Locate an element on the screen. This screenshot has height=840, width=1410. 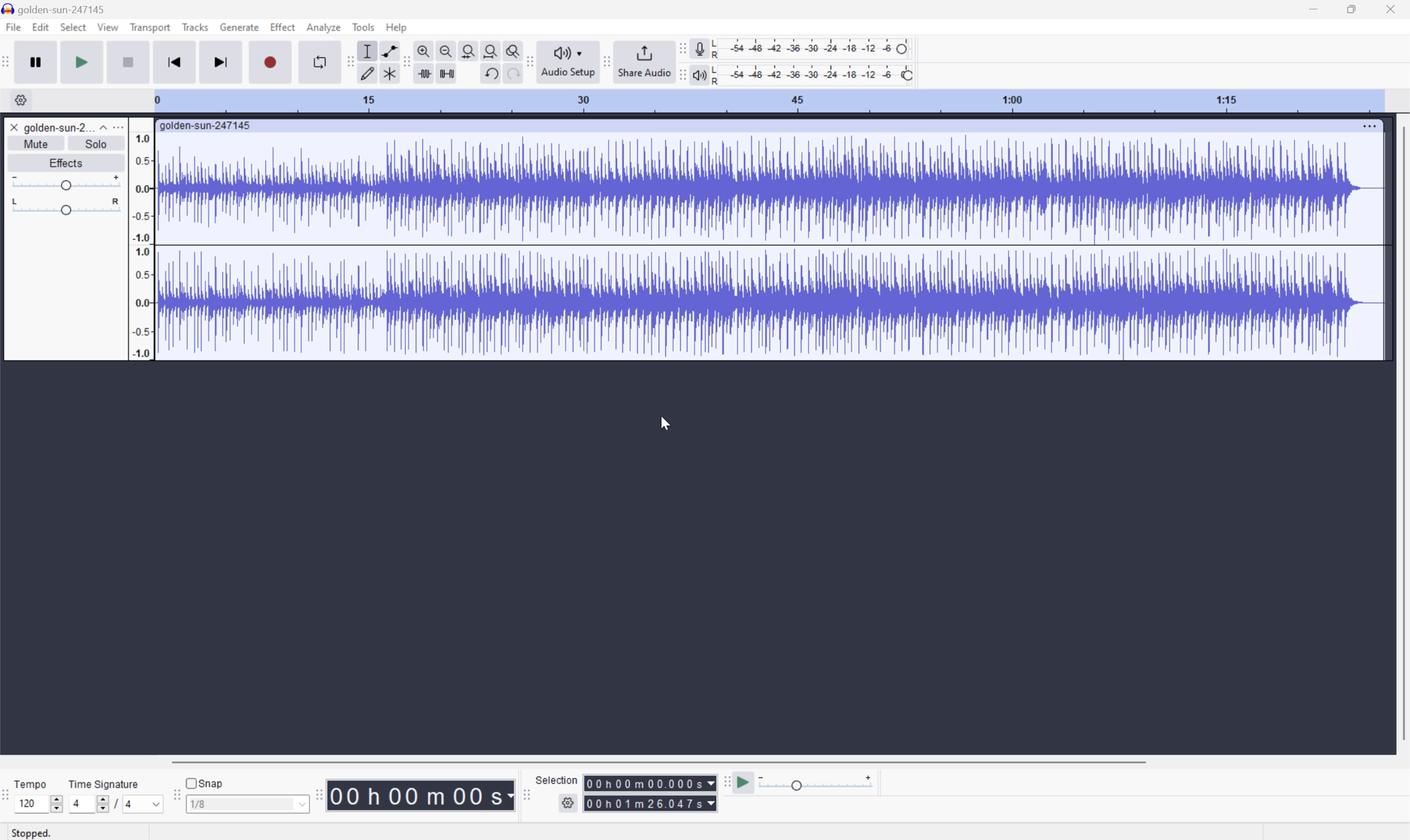
Settings is located at coordinates (23, 100).